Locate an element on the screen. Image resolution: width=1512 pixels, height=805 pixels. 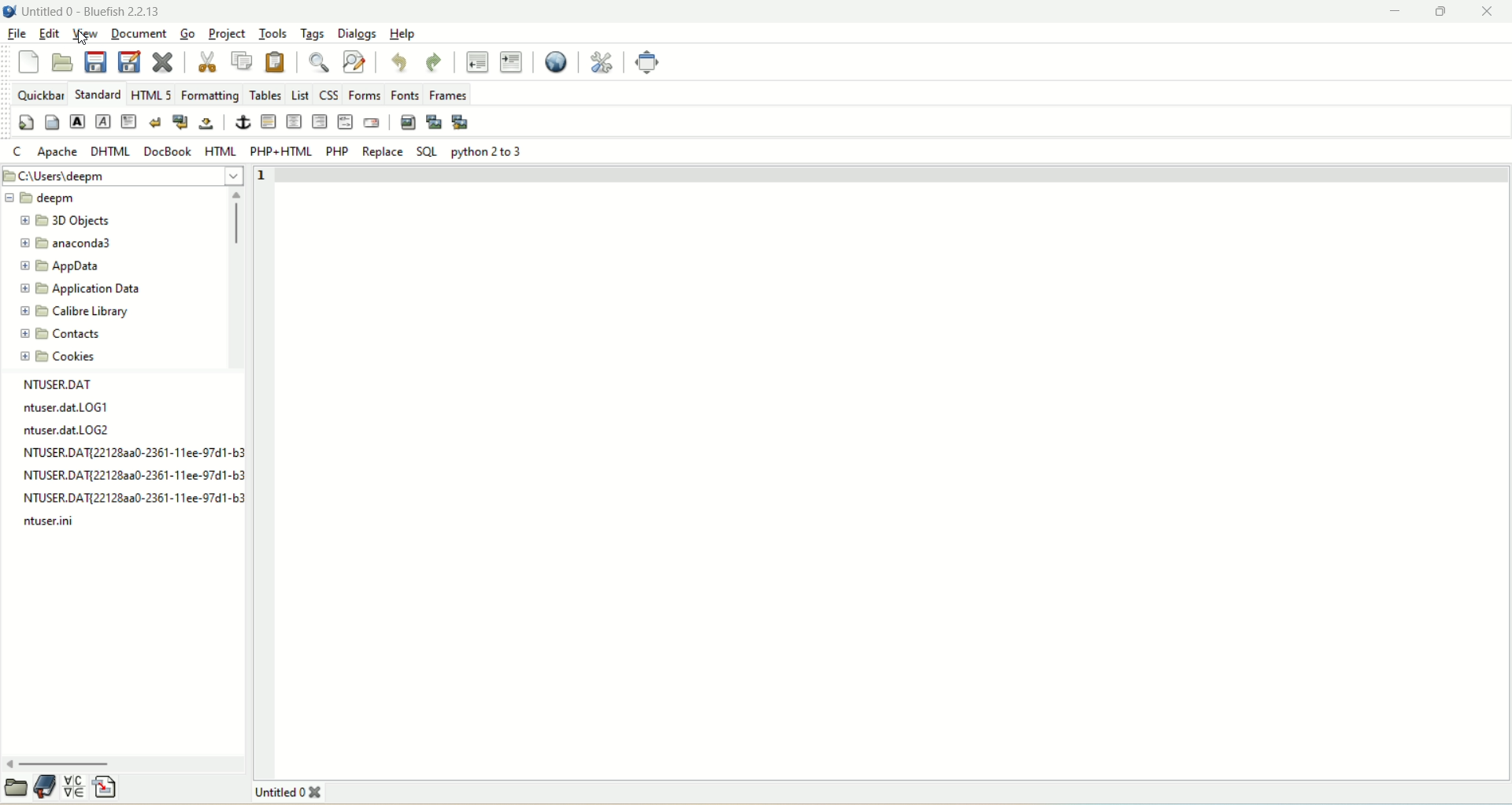
show find bar is located at coordinates (318, 64).